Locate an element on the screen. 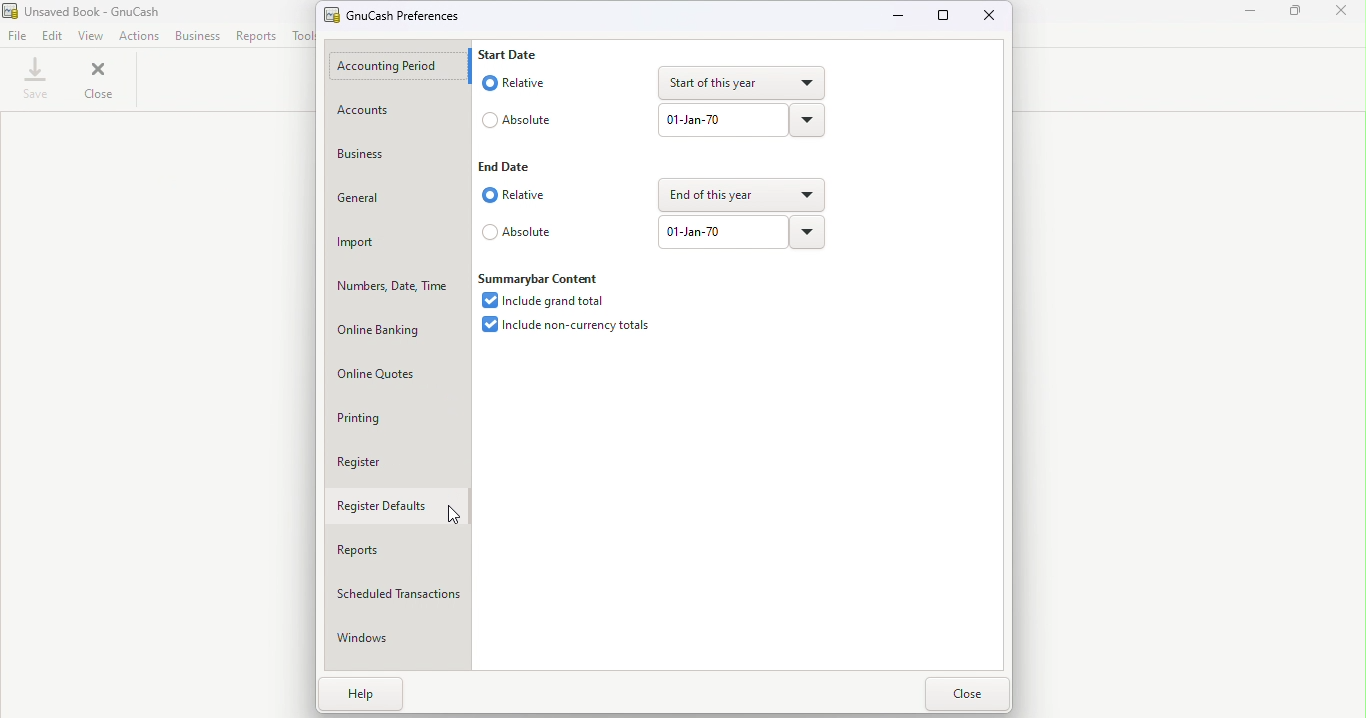 The height and width of the screenshot is (718, 1366). Close is located at coordinates (992, 17).